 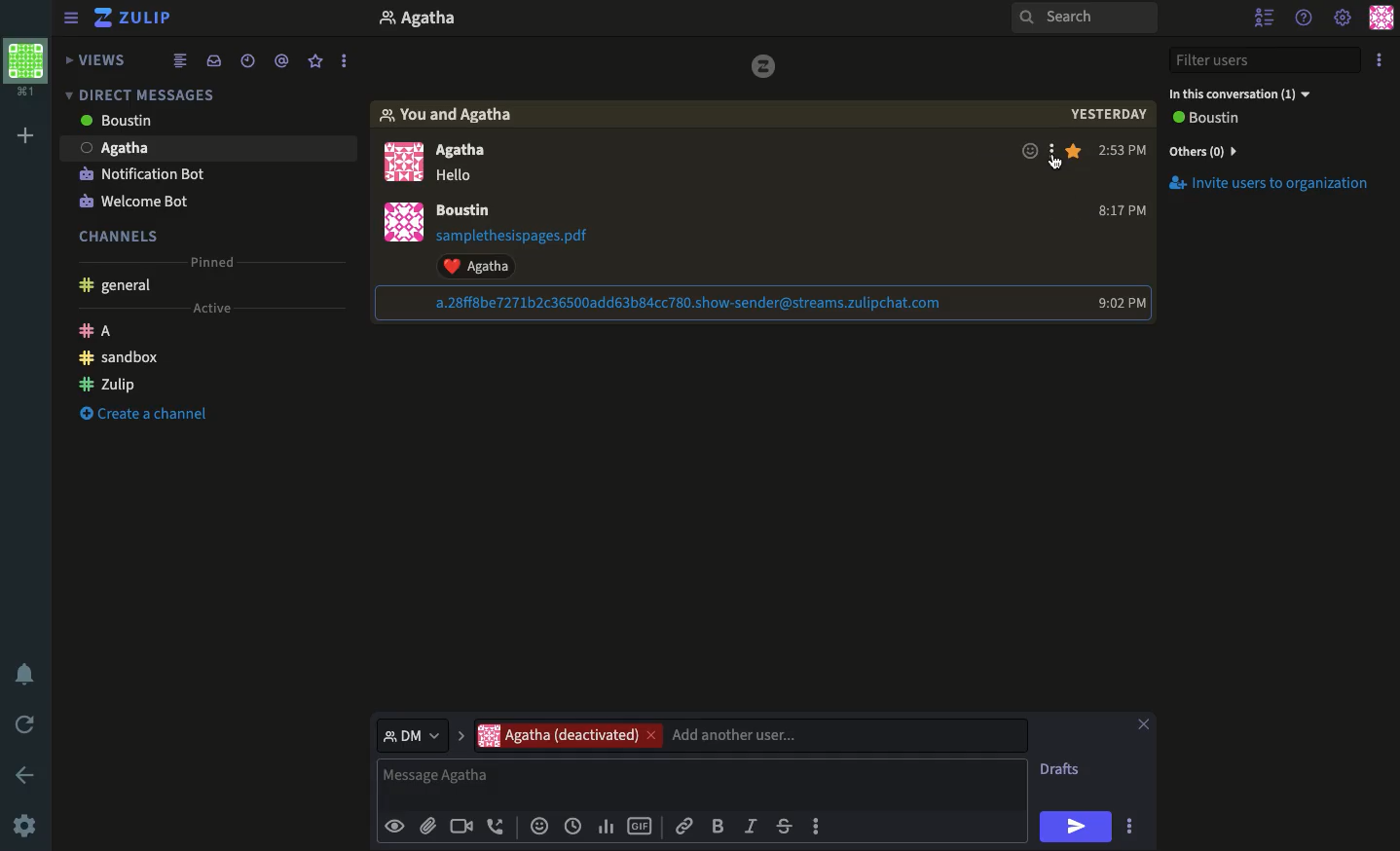 I want to click on Hide menu, so click(x=71, y=16).